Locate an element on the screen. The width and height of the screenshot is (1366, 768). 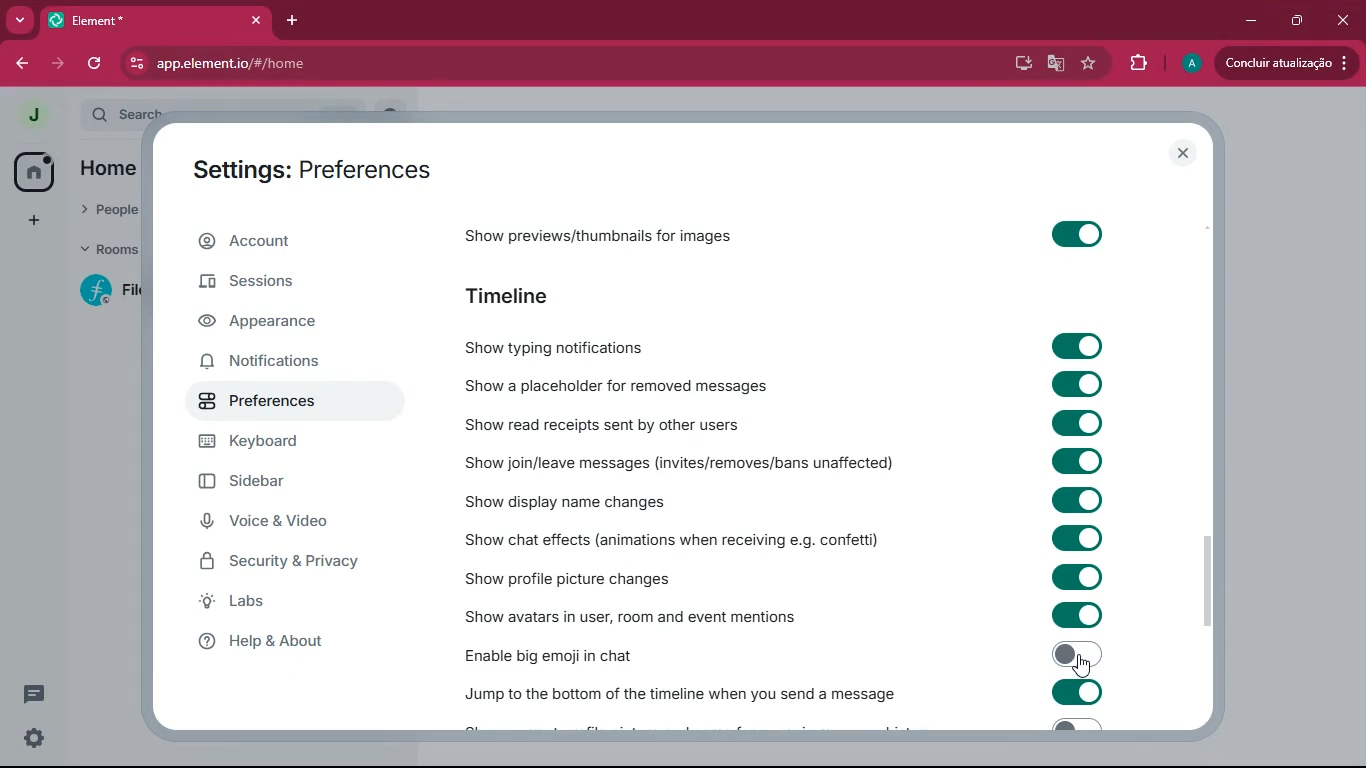
forward is located at coordinates (61, 64).